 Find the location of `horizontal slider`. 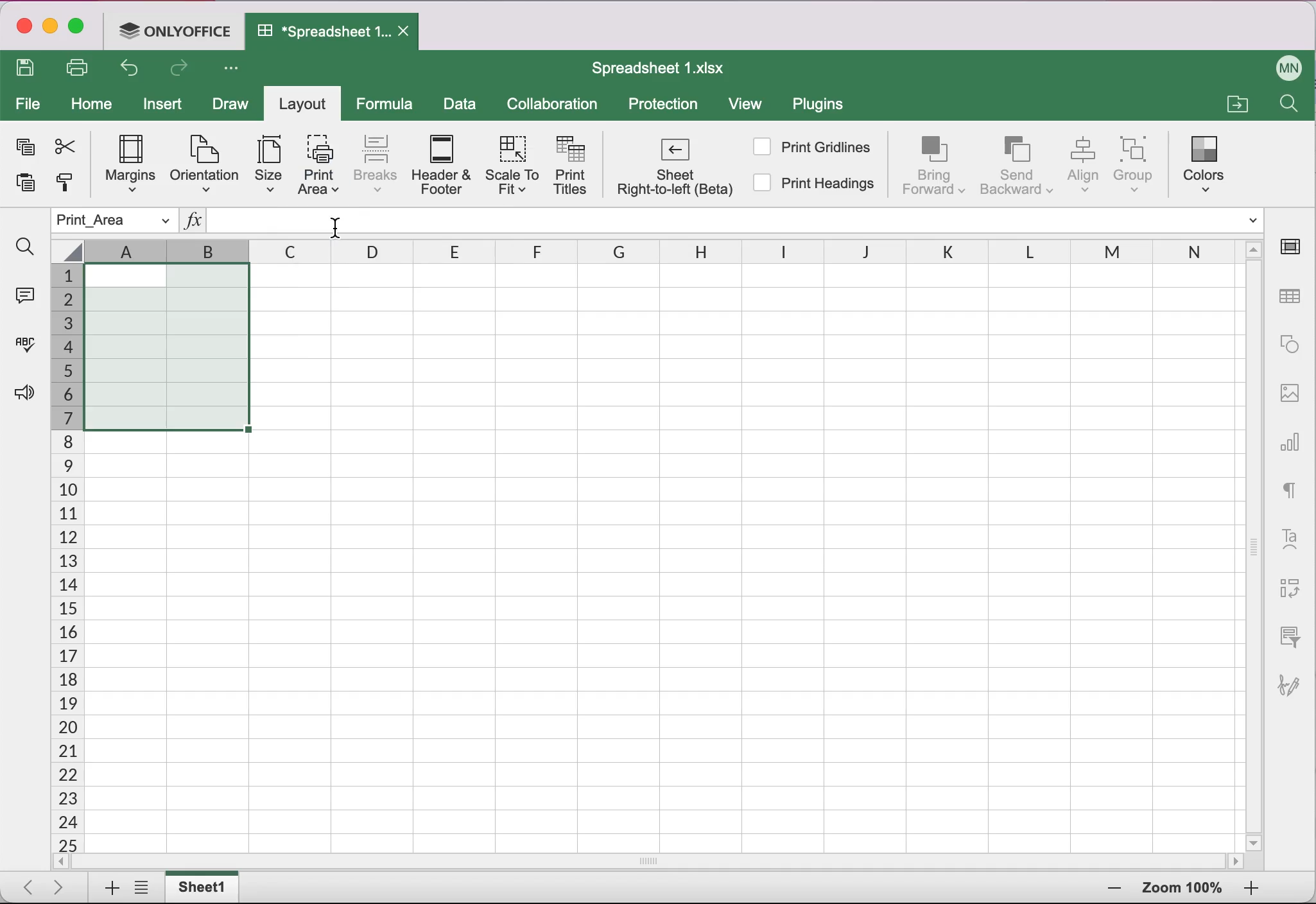

horizontal slider is located at coordinates (664, 861).